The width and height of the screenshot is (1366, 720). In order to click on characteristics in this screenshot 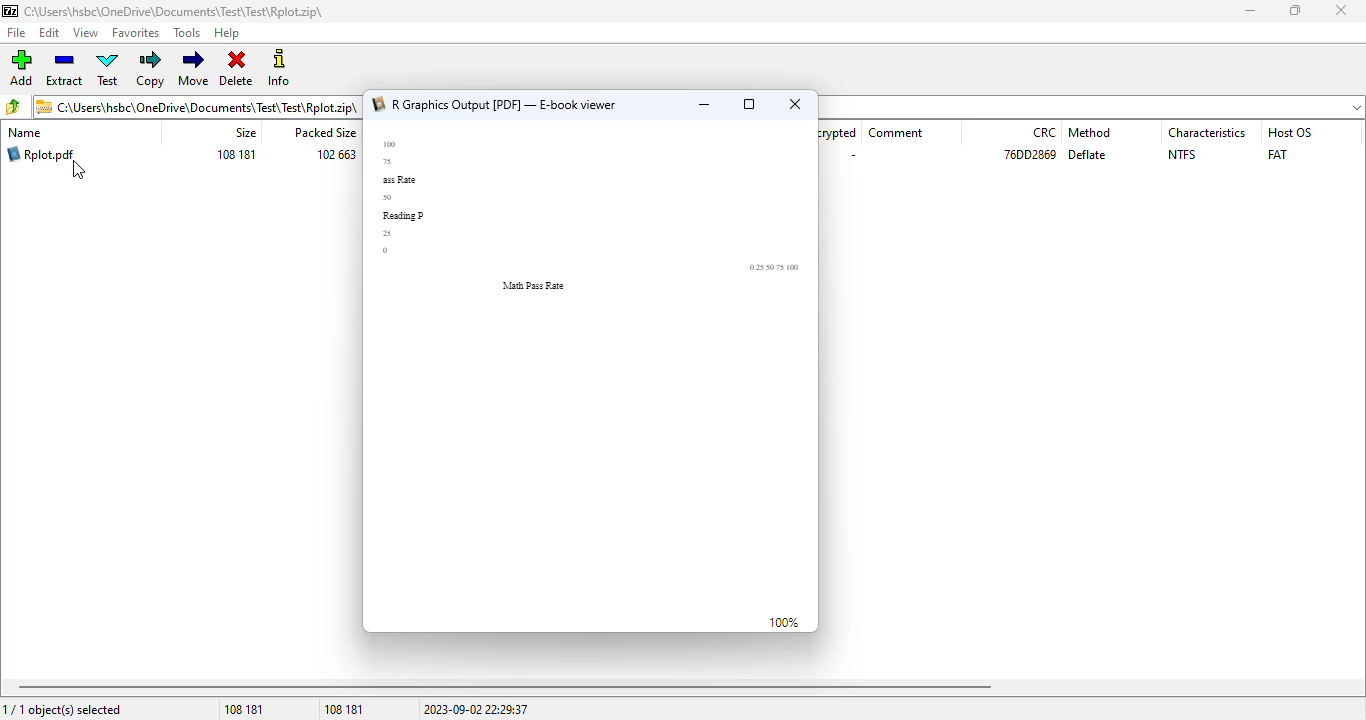, I will do `click(1209, 133)`.